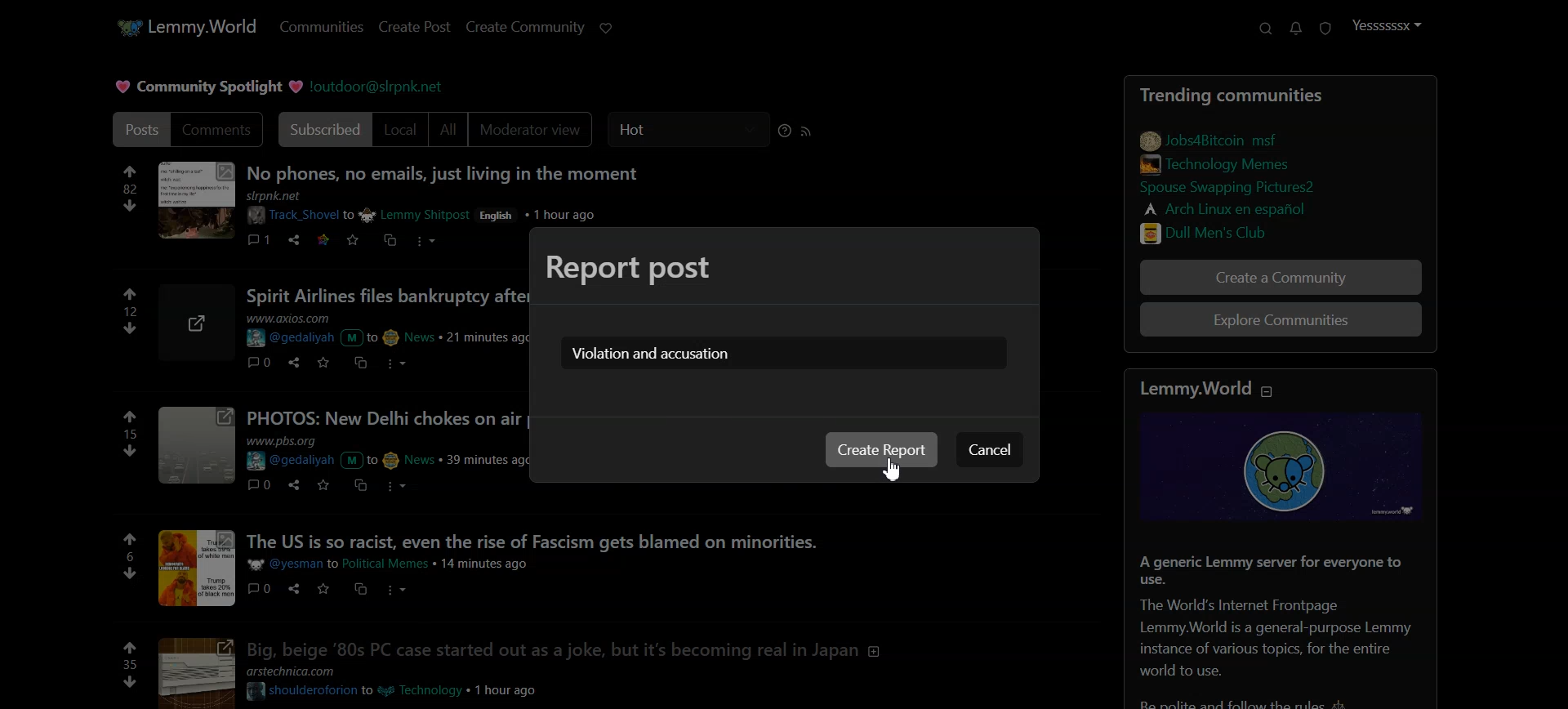 Image resolution: width=1568 pixels, height=709 pixels. I want to click on Text, so click(629, 266).